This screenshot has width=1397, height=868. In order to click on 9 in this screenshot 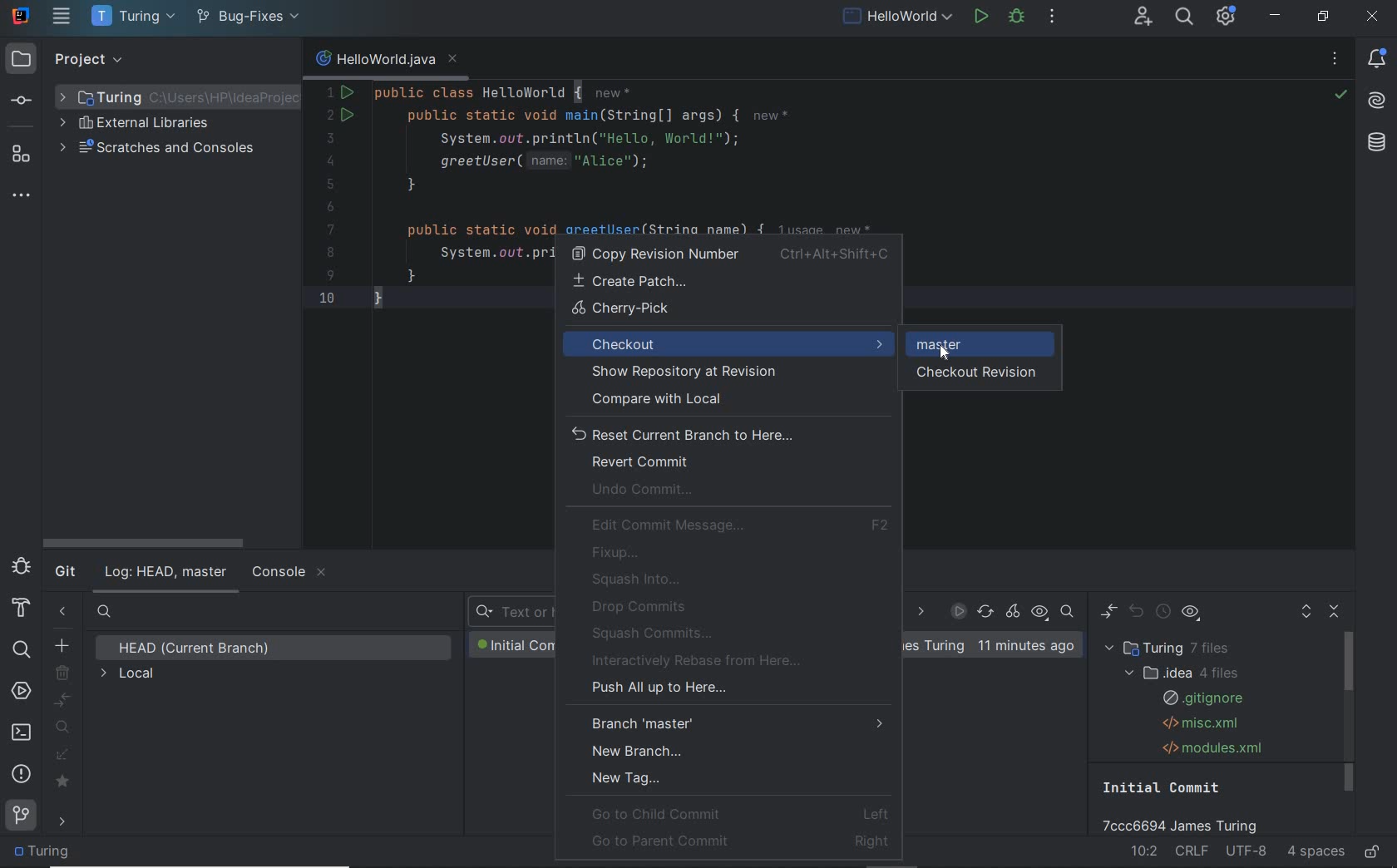, I will do `click(330, 275)`.